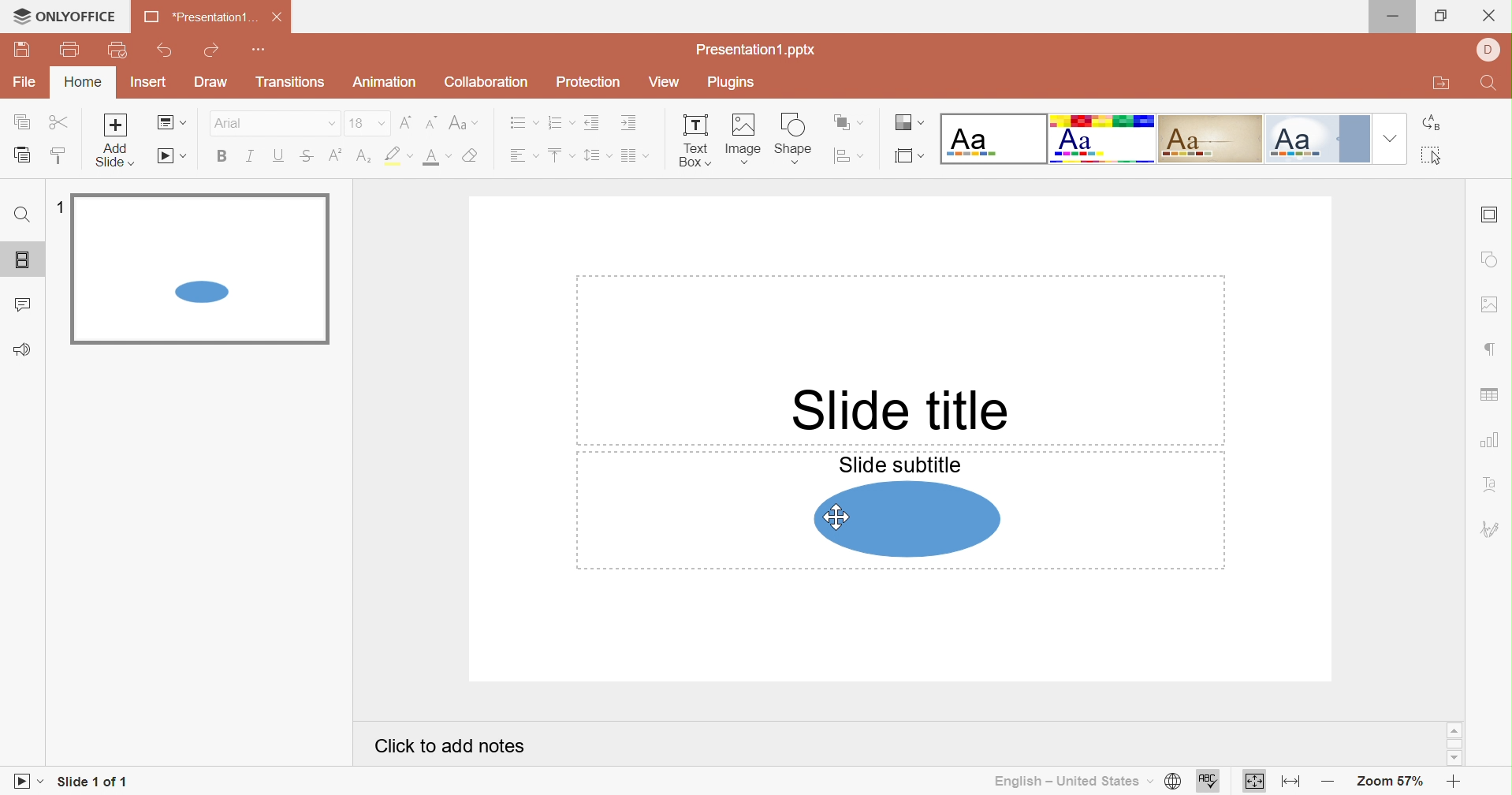  Describe the element at coordinates (597, 155) in the screenshot. I see `Line spacing` at that location.